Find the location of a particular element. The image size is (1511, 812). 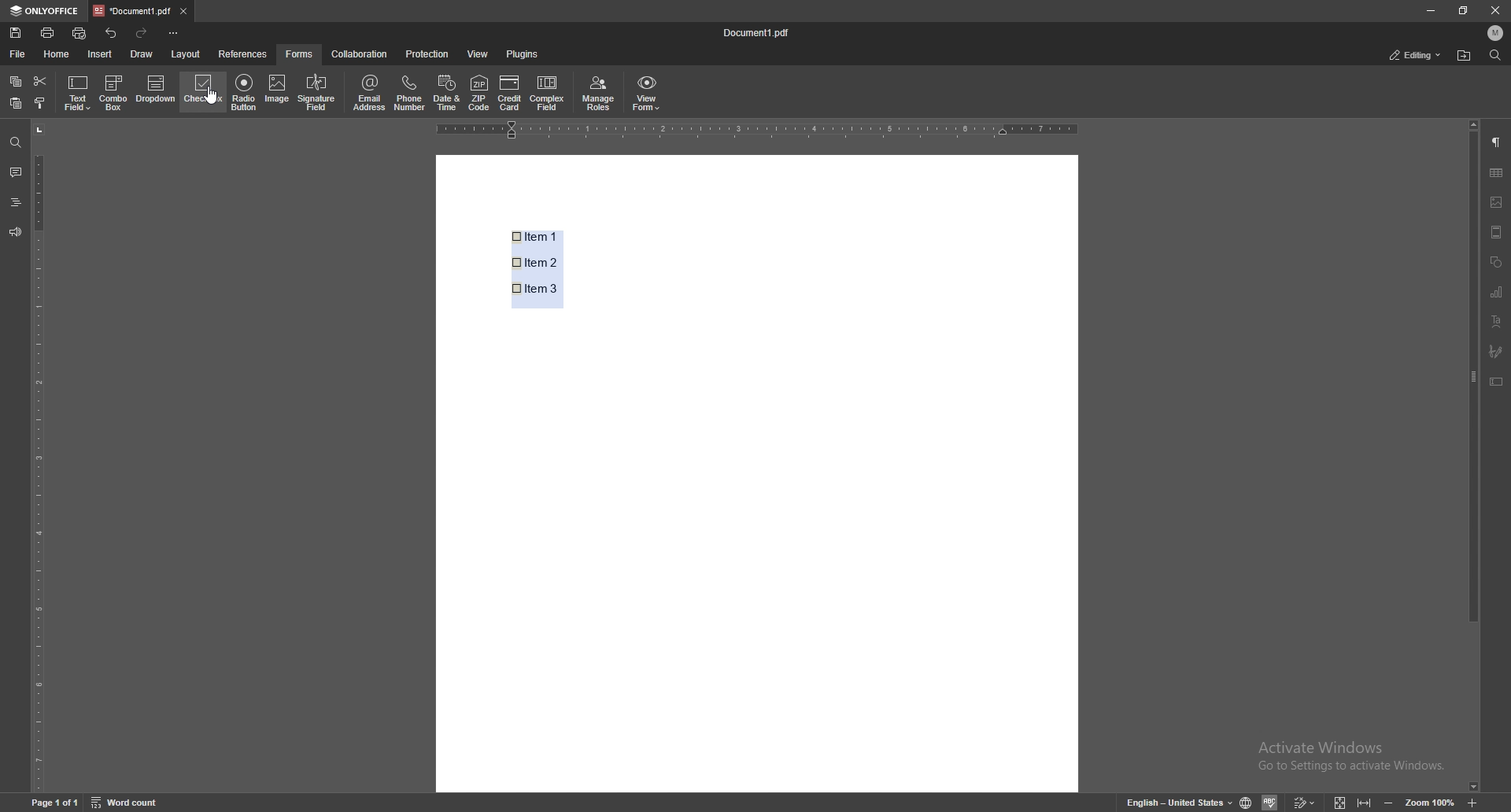

chart is located at coordinates (1497, 172).